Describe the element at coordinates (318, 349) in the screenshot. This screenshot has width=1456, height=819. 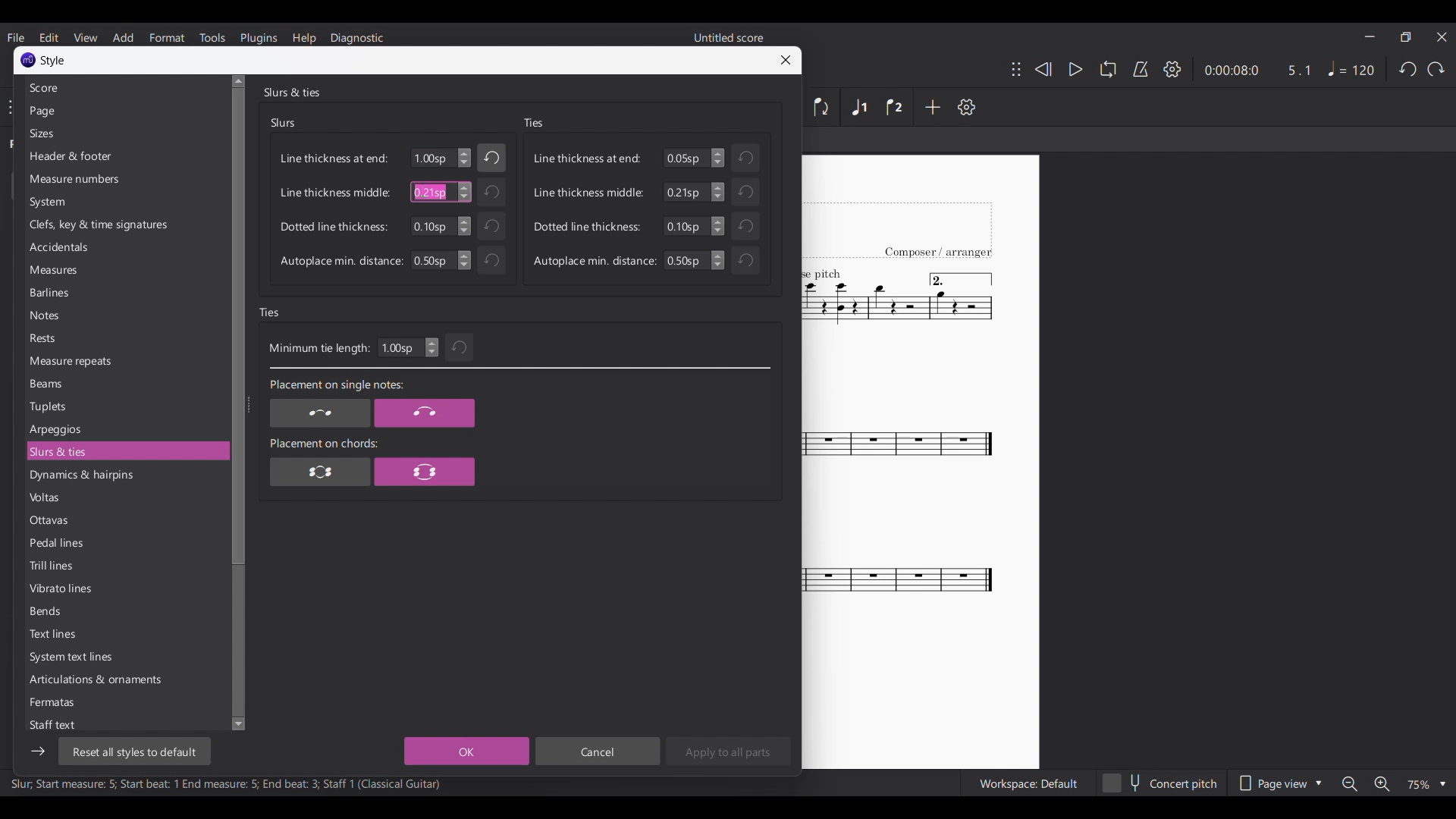
I see `Minimum tie length` at that location.